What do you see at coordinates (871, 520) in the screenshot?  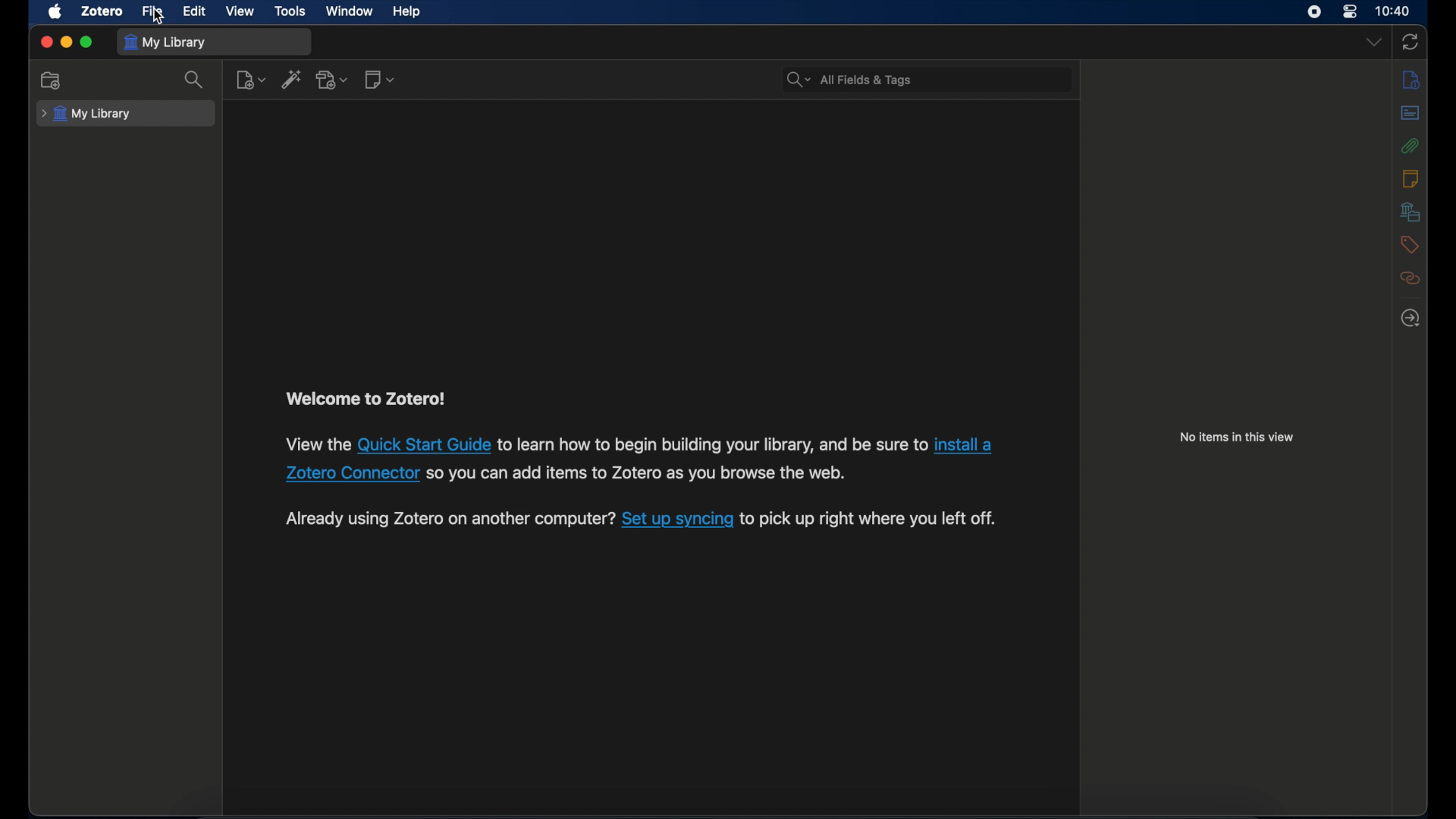 I see `to pick up right where you left off` at bounding box center [871, 520].